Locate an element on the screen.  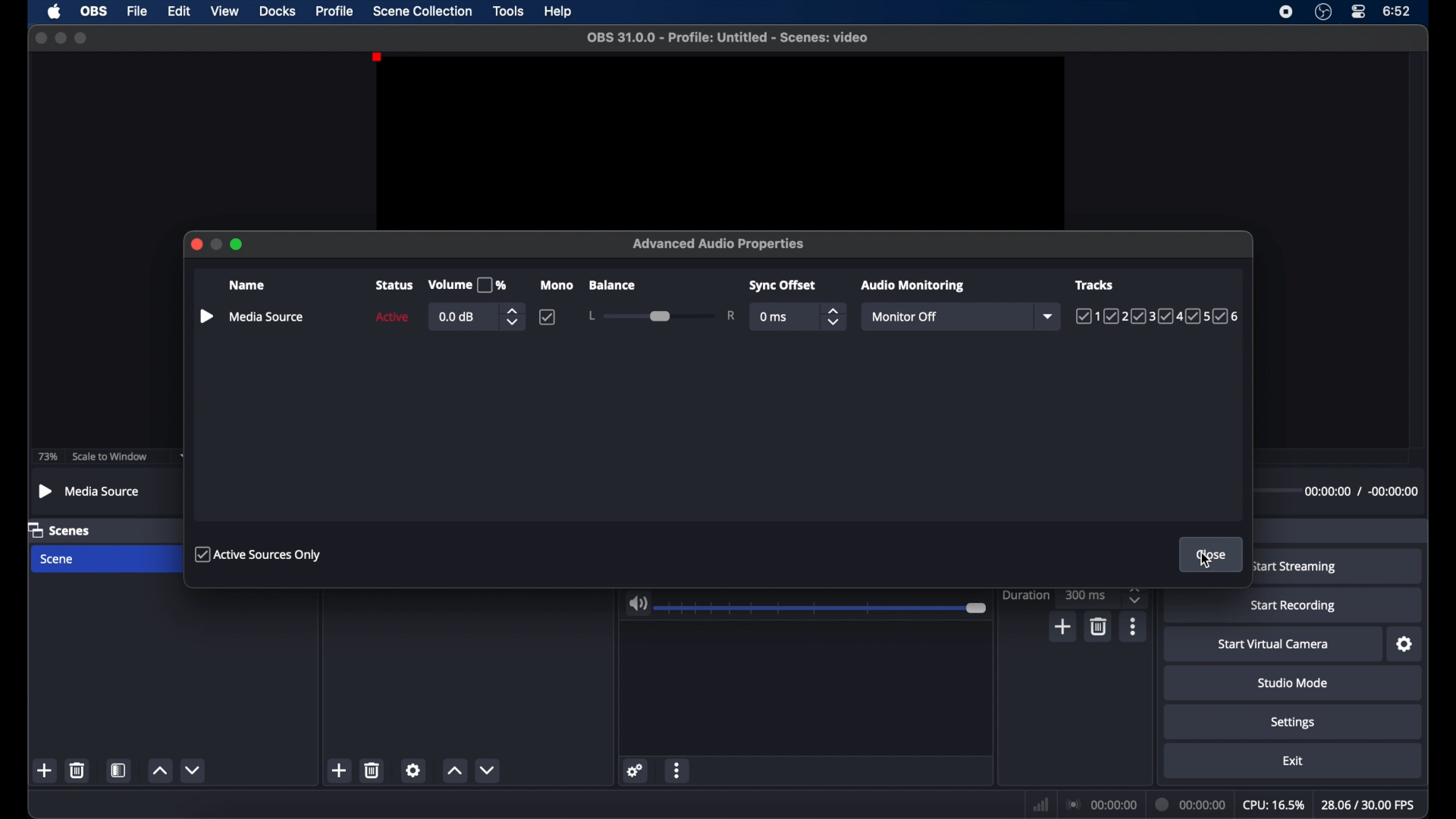
checkbox is located at coordinates (548, 317).